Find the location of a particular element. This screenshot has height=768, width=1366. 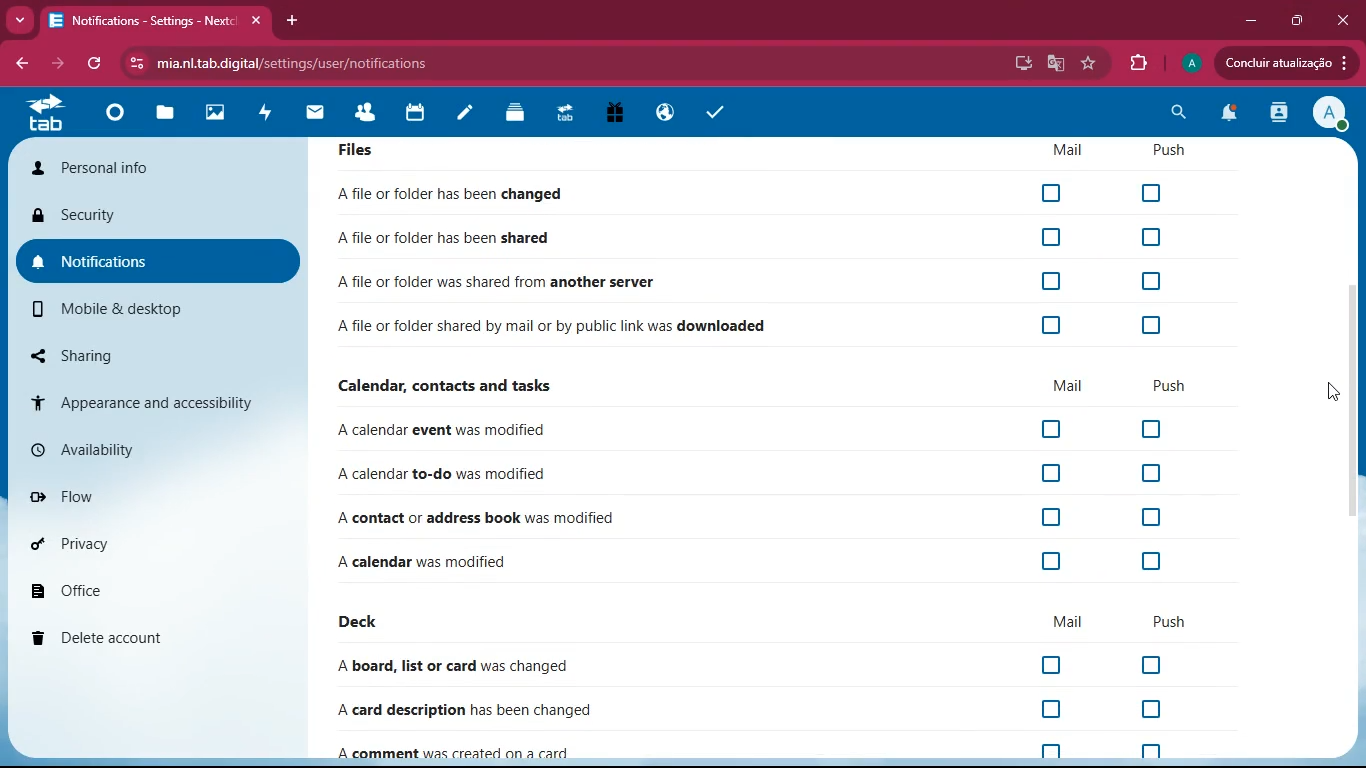

friends is located at coordinates (371, 115).